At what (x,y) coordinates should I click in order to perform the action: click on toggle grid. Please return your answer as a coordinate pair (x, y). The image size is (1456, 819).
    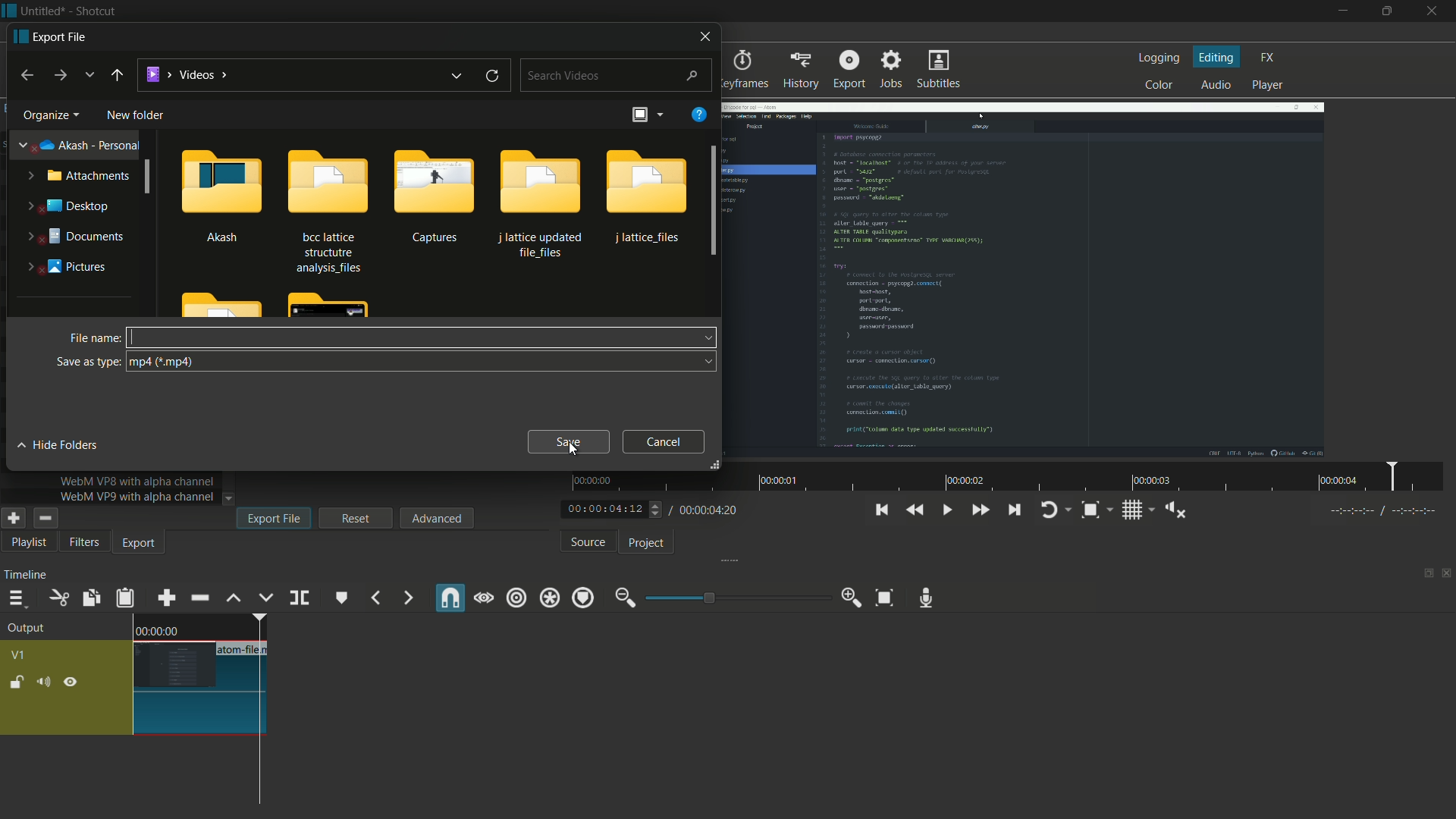
    Looking at the image, I should click on (1132, 512).